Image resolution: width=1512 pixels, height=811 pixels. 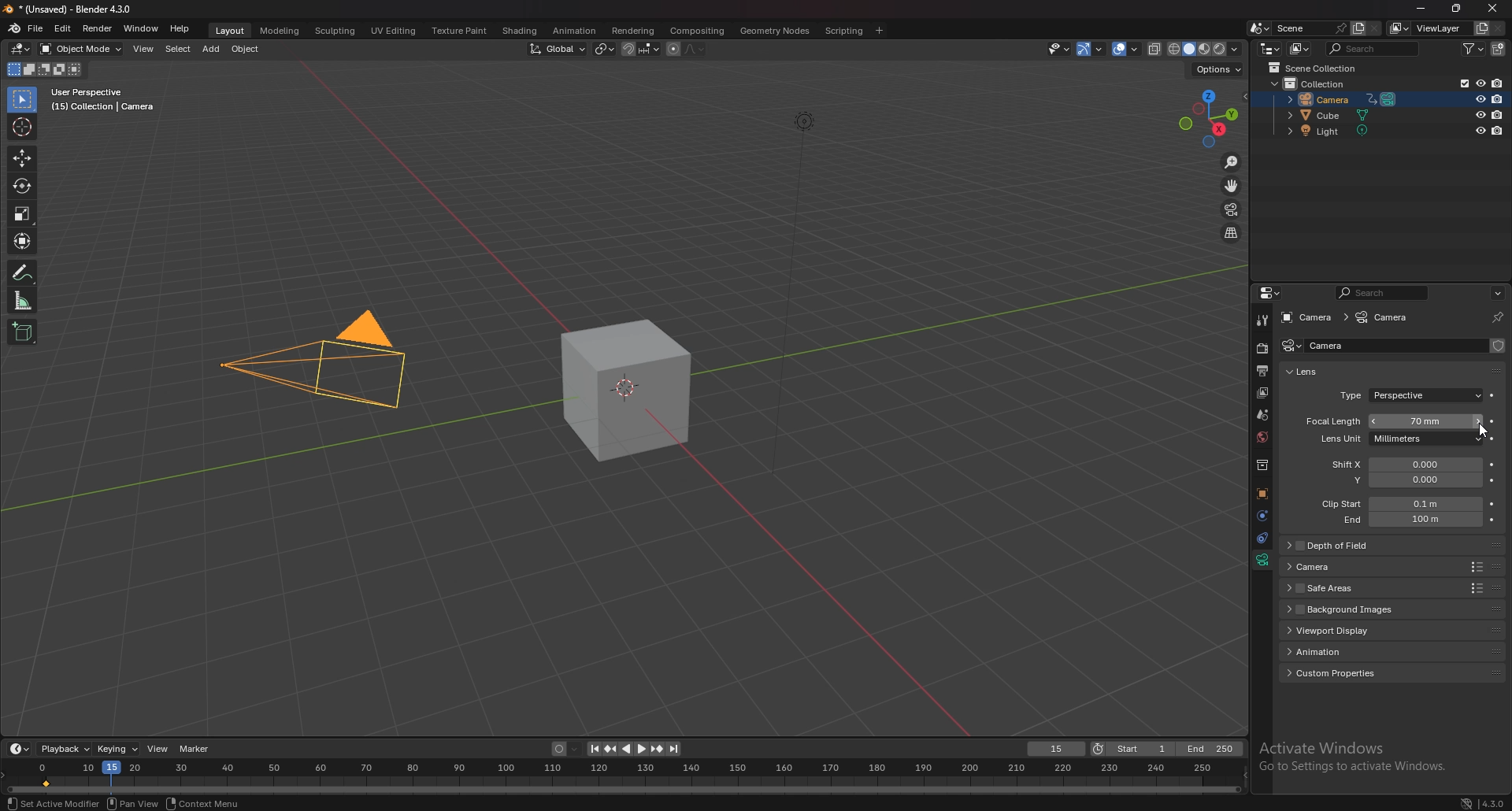 I want to click on add scene, so click(x=1357, y=29).